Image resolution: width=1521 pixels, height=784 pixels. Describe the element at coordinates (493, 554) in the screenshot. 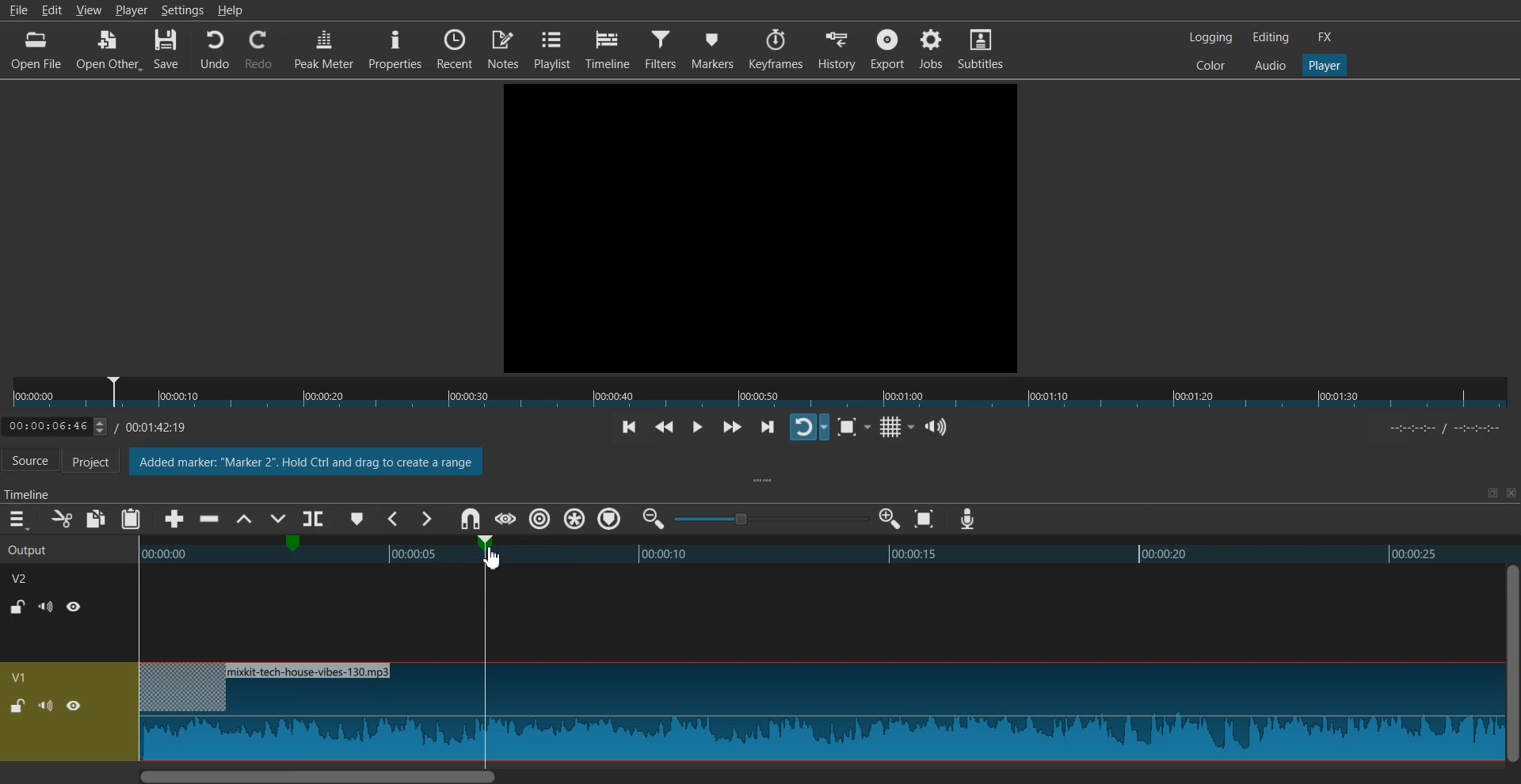

I see `Cursor` at that location.